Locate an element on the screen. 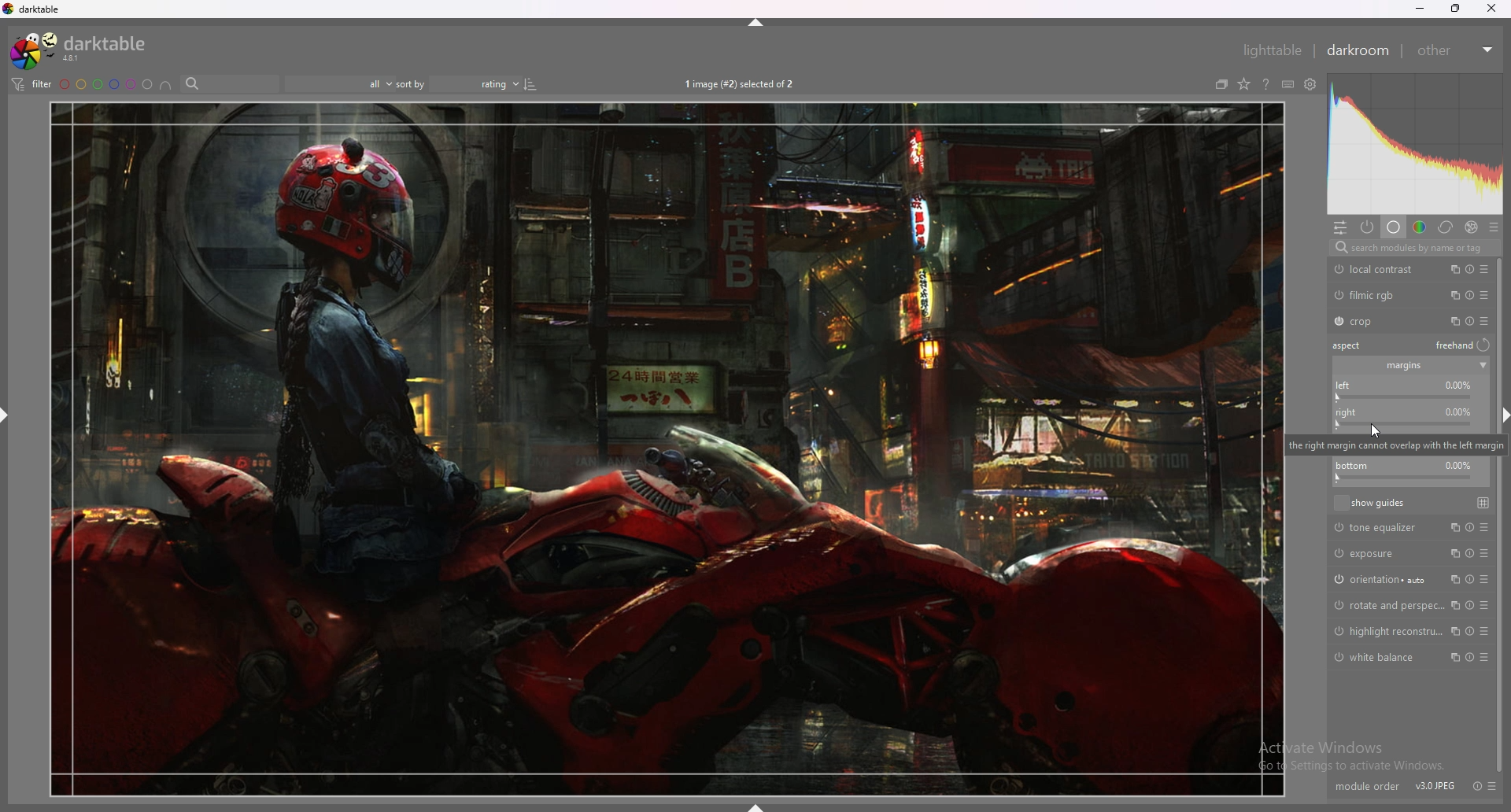 The height and width of the screenshot is (812, 1511). filmic rgb is located at coordinates (1379, 295).